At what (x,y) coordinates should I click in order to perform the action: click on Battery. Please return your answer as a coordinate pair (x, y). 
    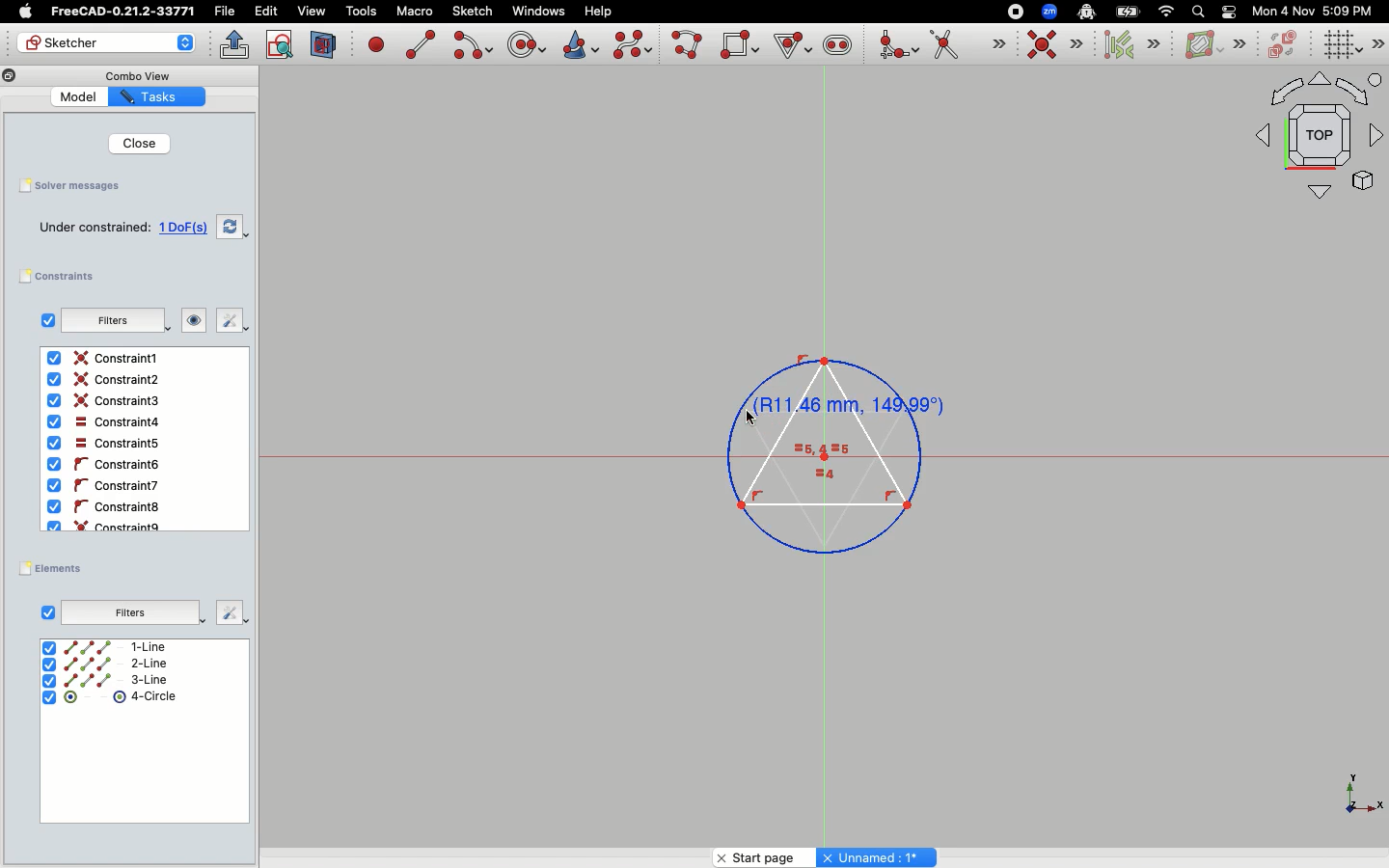
    Looking at the image, I should click on (1129, 11).